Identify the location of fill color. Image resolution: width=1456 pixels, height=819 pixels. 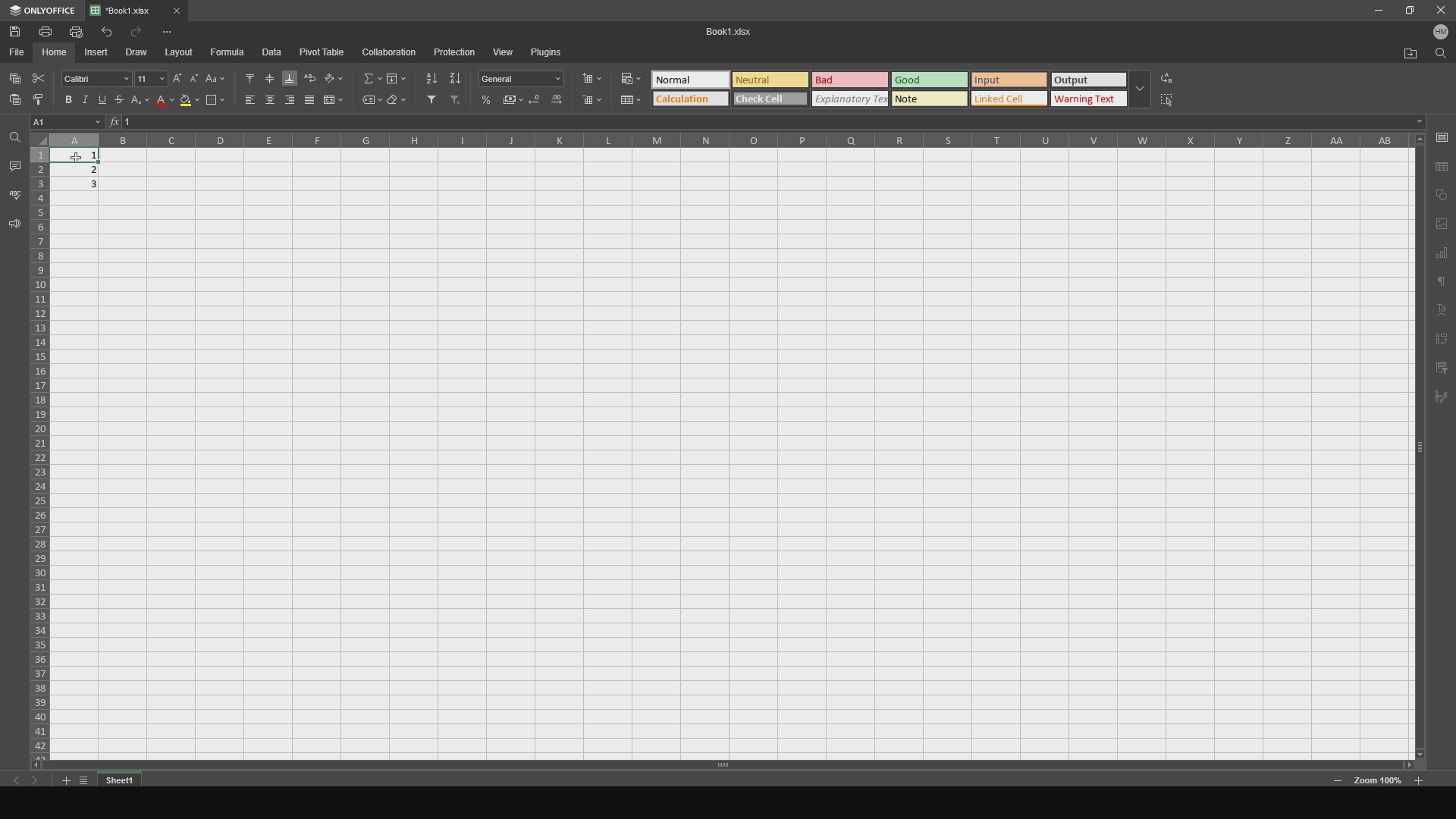
(187, 101).